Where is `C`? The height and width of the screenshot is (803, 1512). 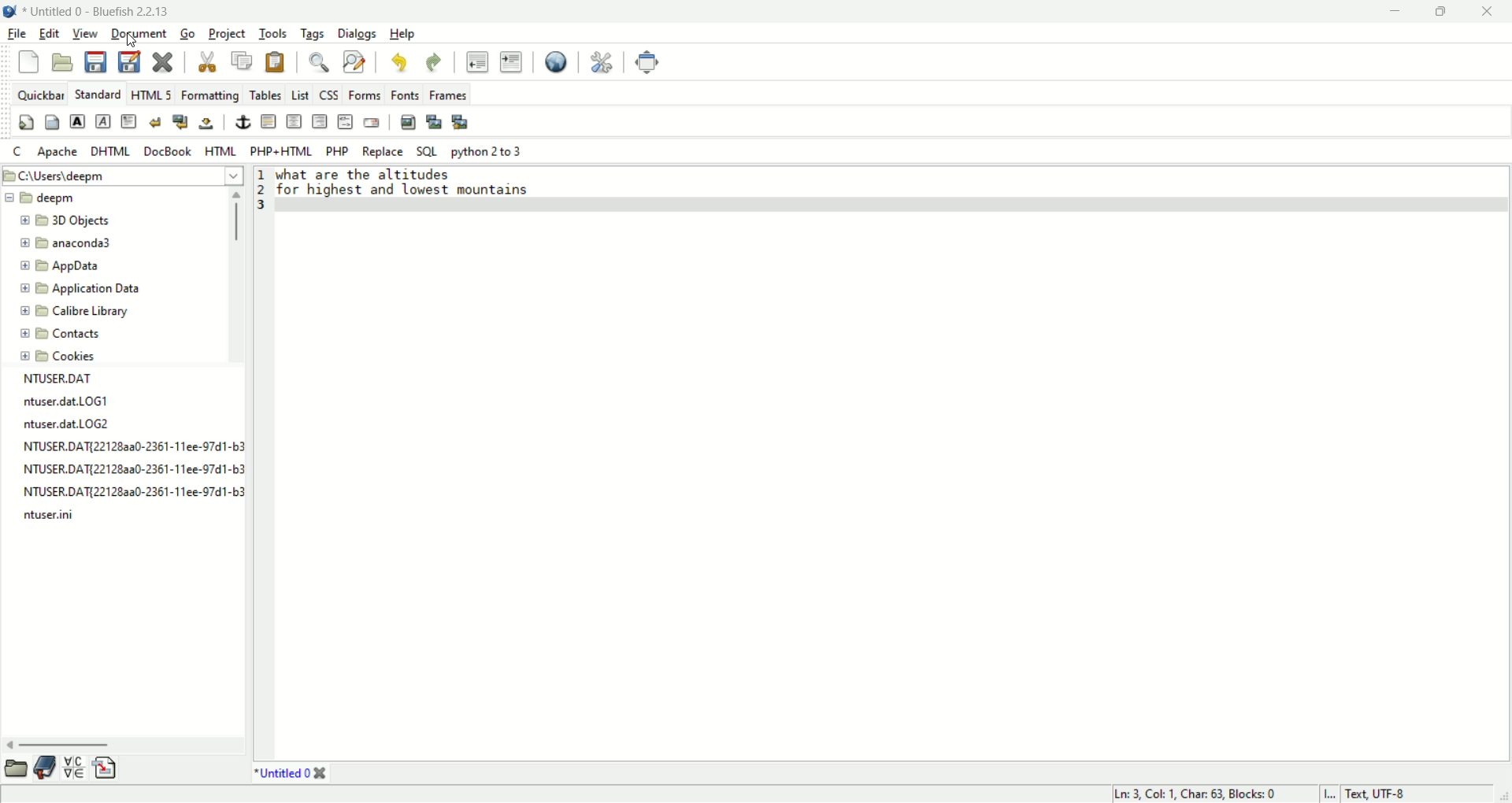
C is located at coordinates (19, 152).